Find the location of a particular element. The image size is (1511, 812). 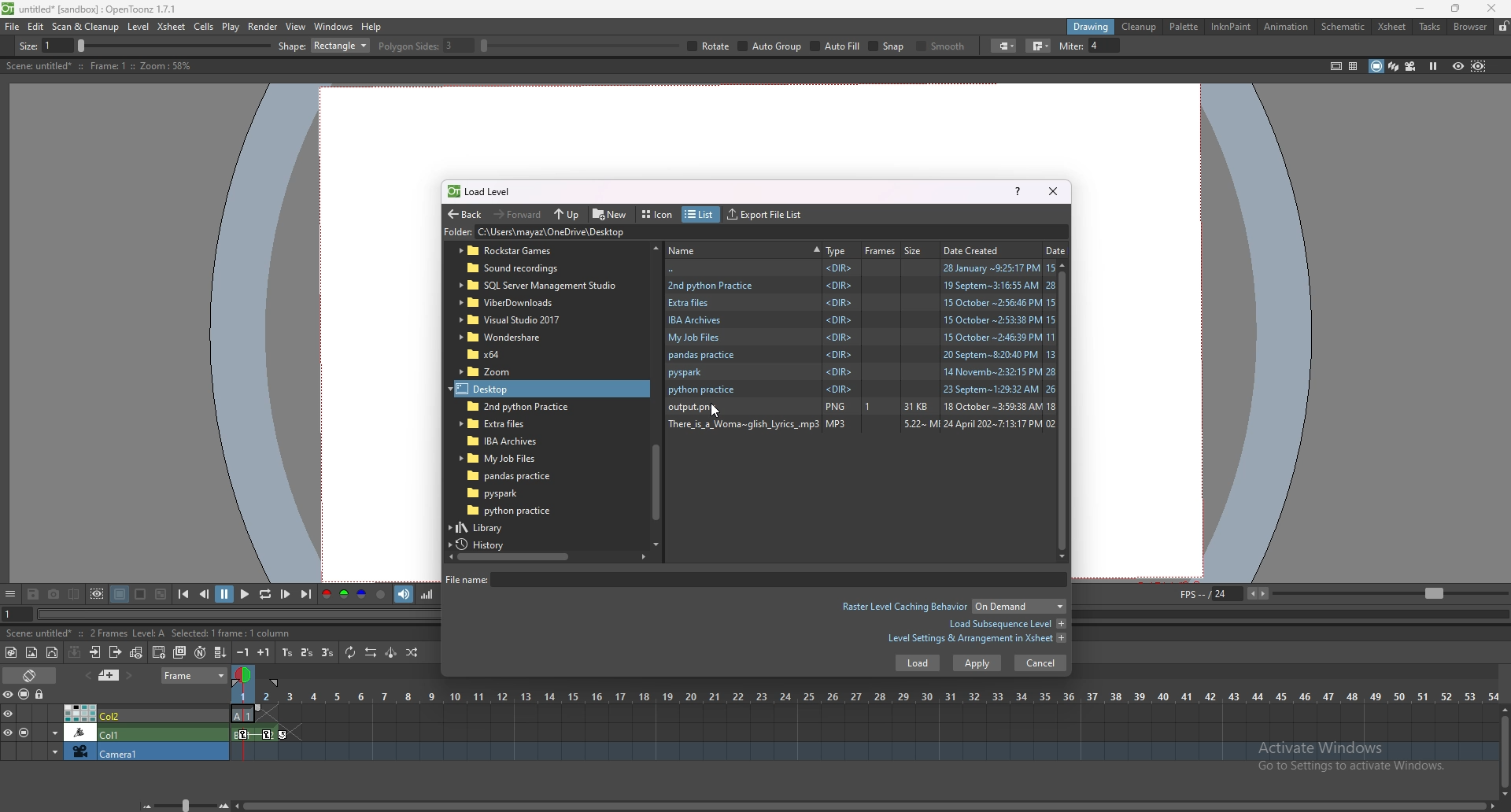

new is located at coordinates (611, 213).